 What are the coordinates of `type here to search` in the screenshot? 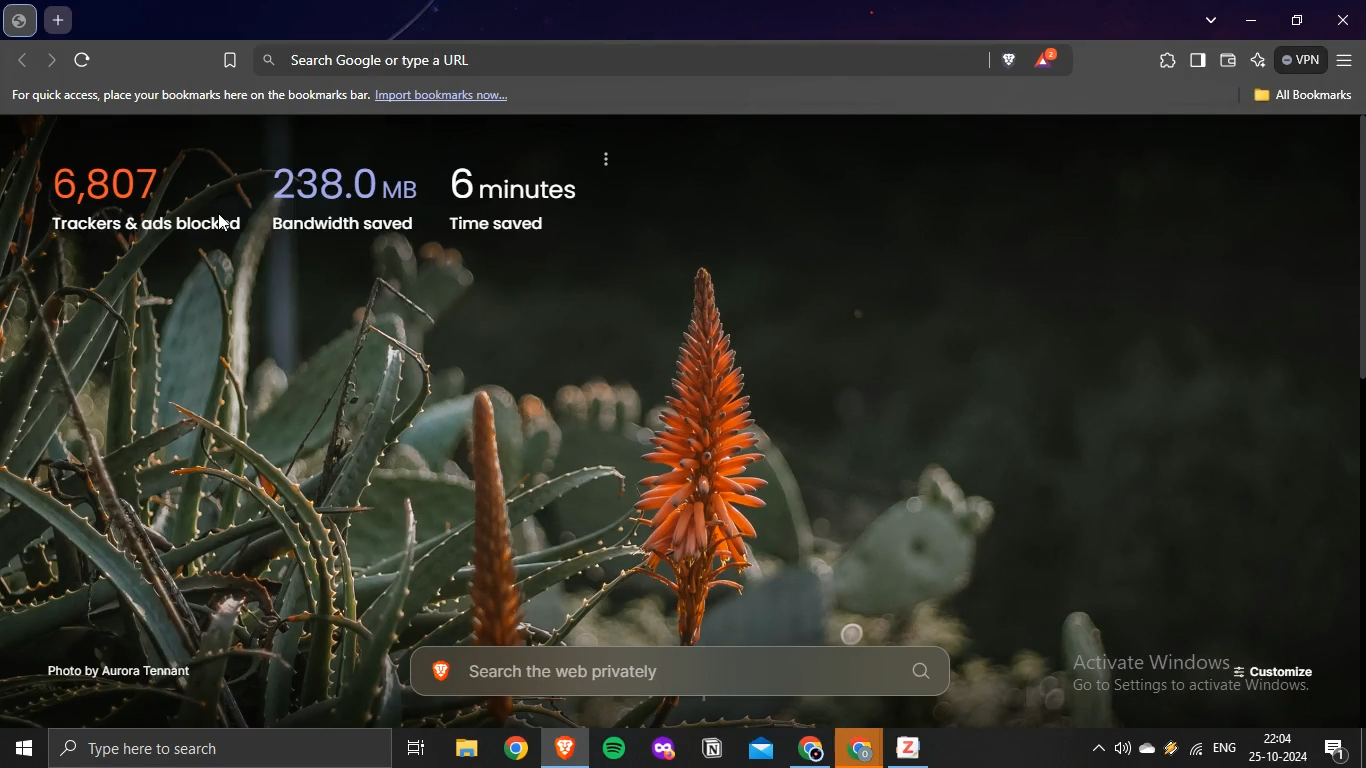 It's located at (196, 749).